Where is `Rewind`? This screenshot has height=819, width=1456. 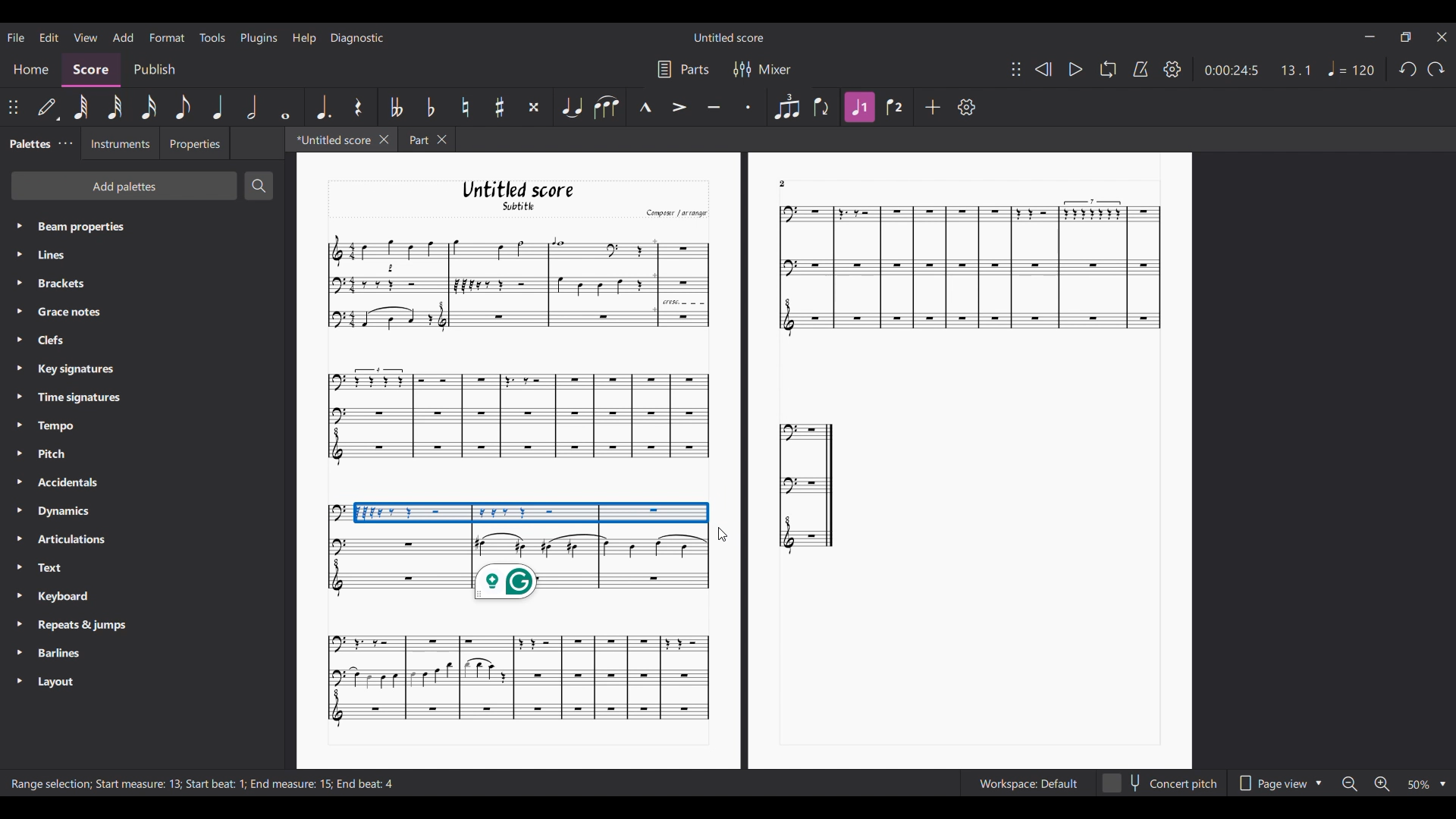
Rewind is located at coordinates (1042, 69).